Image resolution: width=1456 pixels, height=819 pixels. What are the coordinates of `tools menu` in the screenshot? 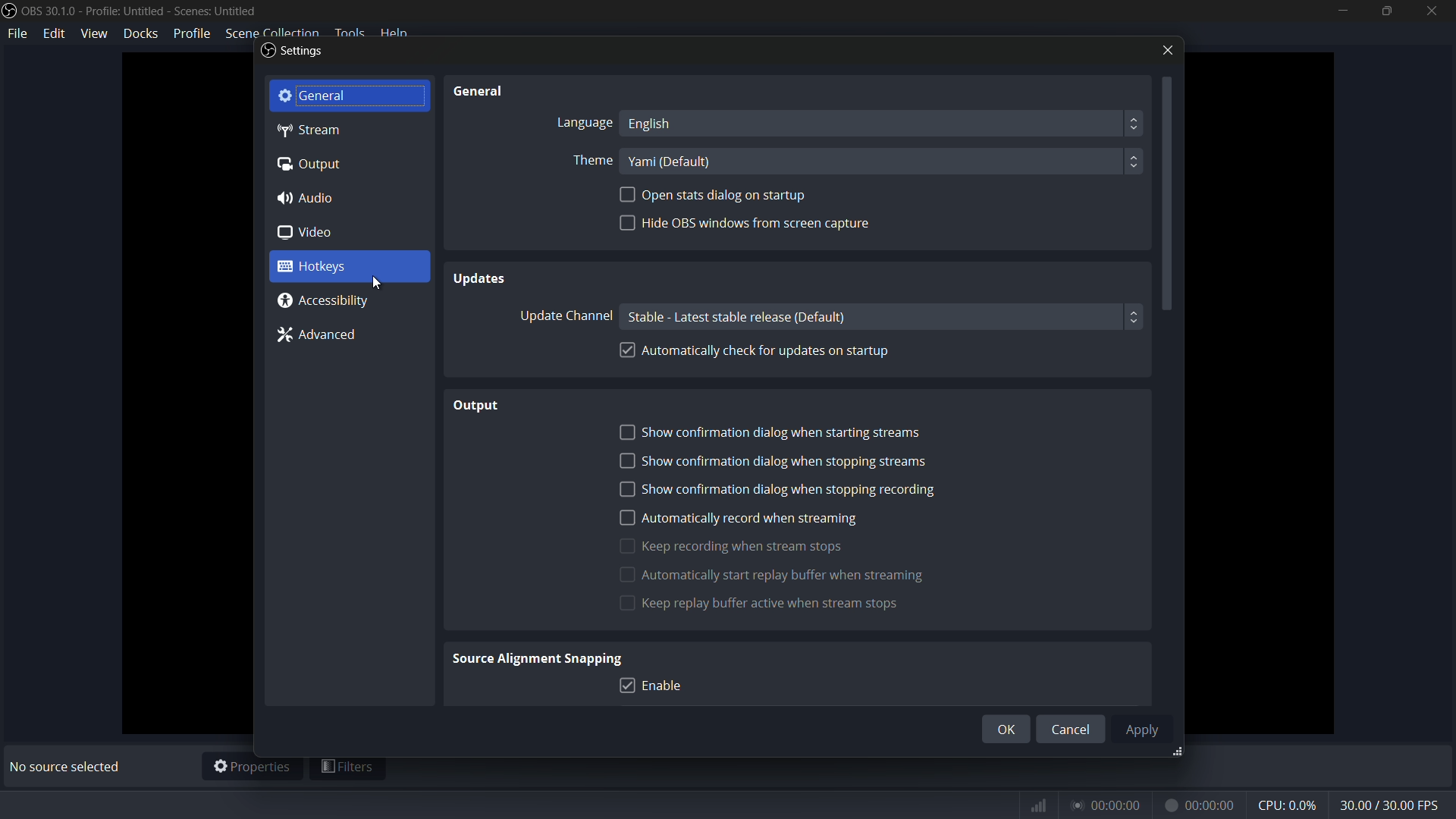 It's located at (349, 33).